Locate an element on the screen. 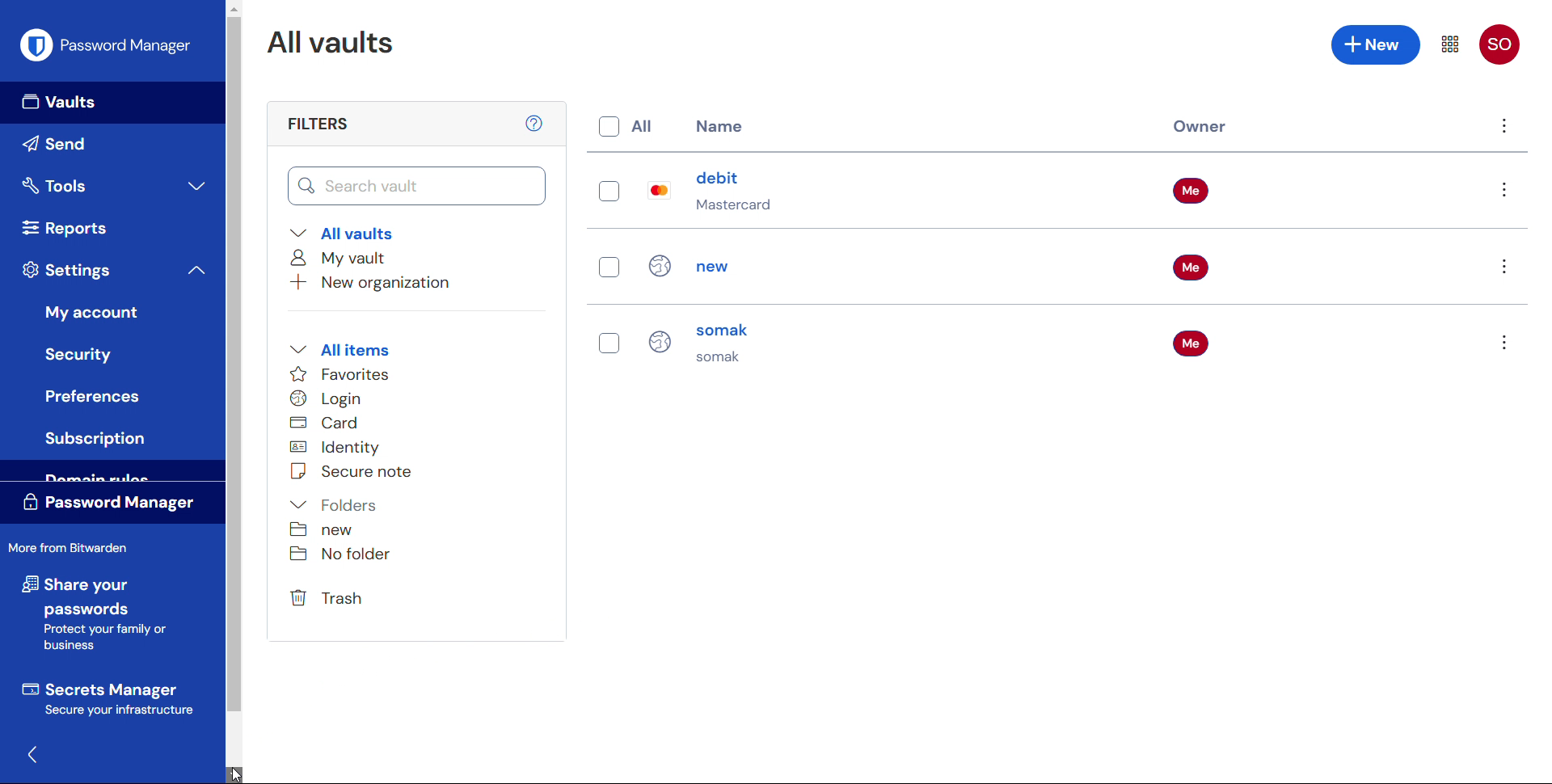 The image size is (1552, 784). somak somak is located at coordinates (735, 344).